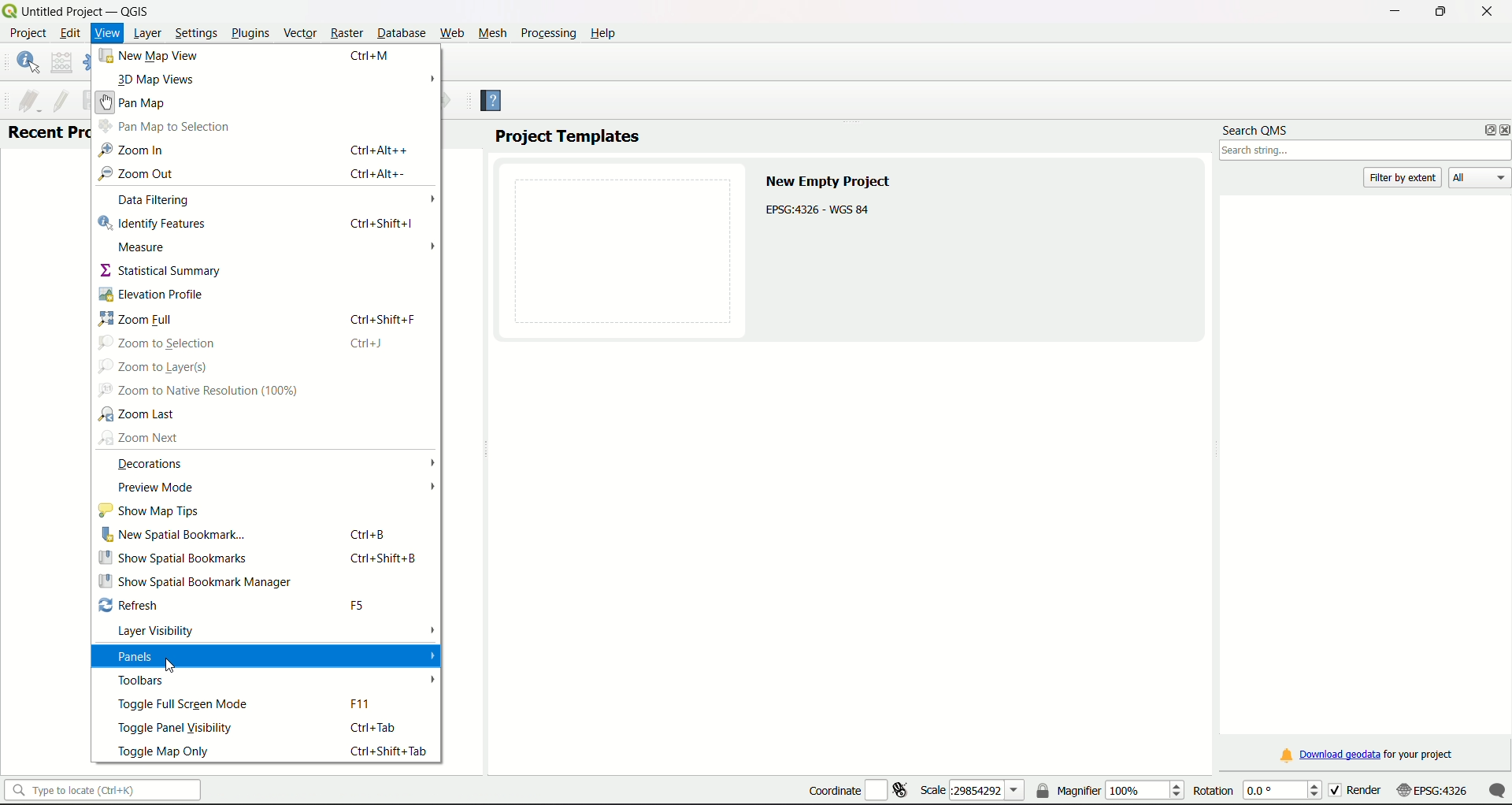 Image resolution: width=1512 pixels, height=805 pixels. Describe the element at coordinates (59, 101) in the screenshot. I see `toggle edit` at that location.